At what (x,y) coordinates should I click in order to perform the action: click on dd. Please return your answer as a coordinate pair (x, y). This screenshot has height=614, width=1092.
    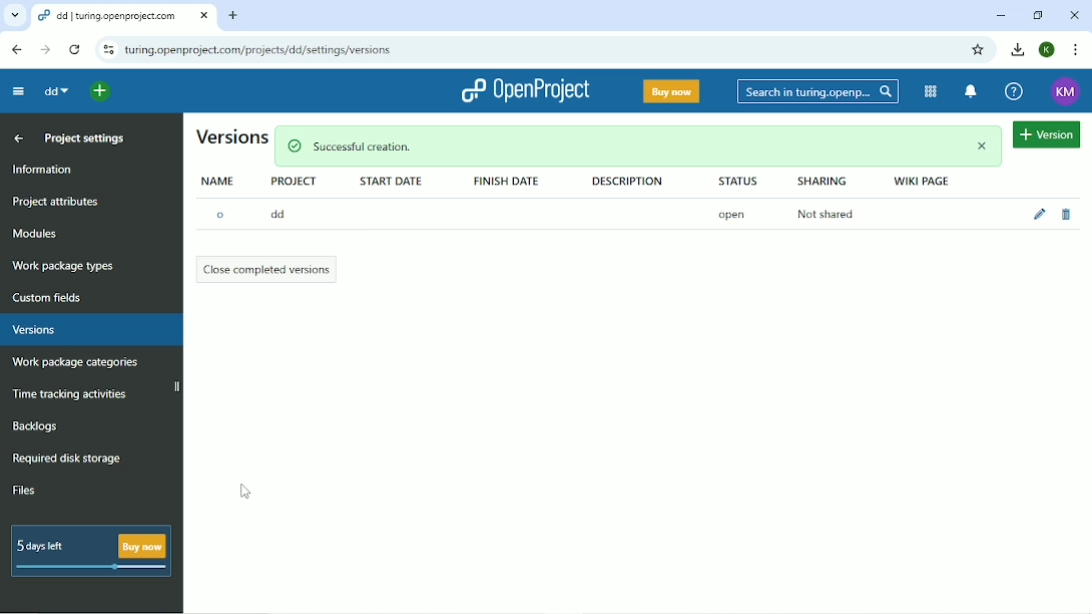
    Looking at the image, I should click on (57, 90).